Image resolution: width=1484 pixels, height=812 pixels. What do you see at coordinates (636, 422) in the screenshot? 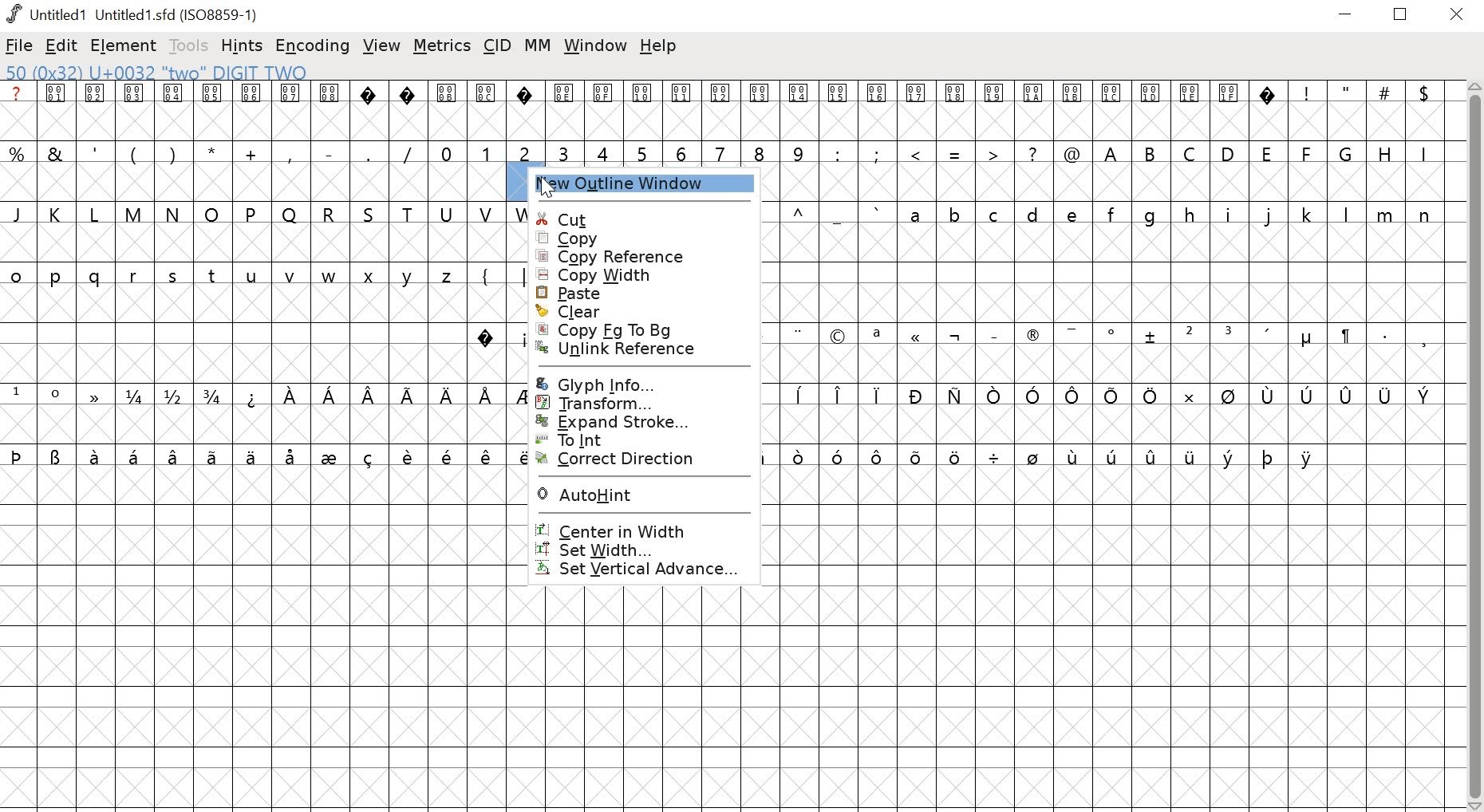
I see `expand stroke` at bounding box center [636, 422].